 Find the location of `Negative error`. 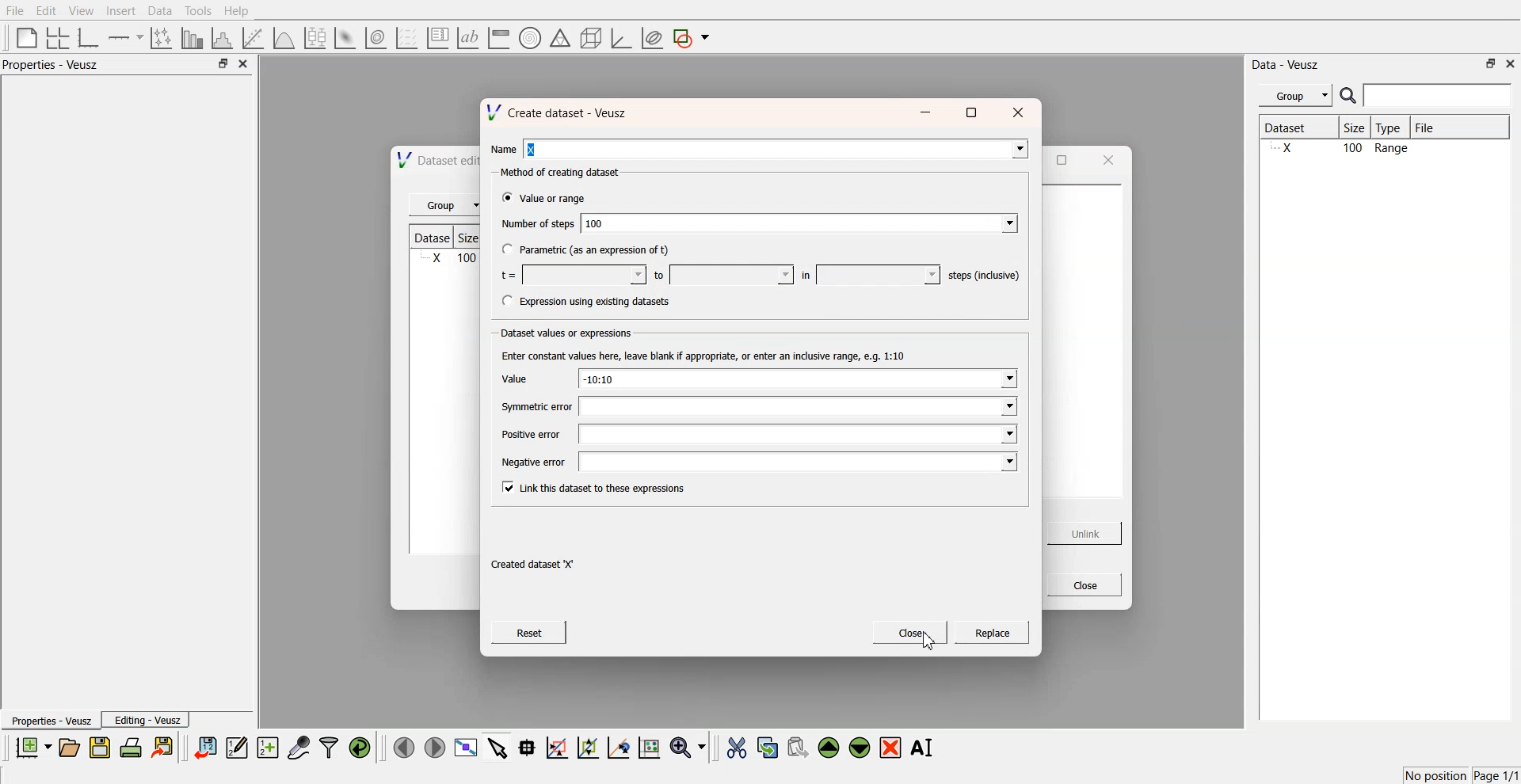

Negative error is located at coordinates (537, 464).